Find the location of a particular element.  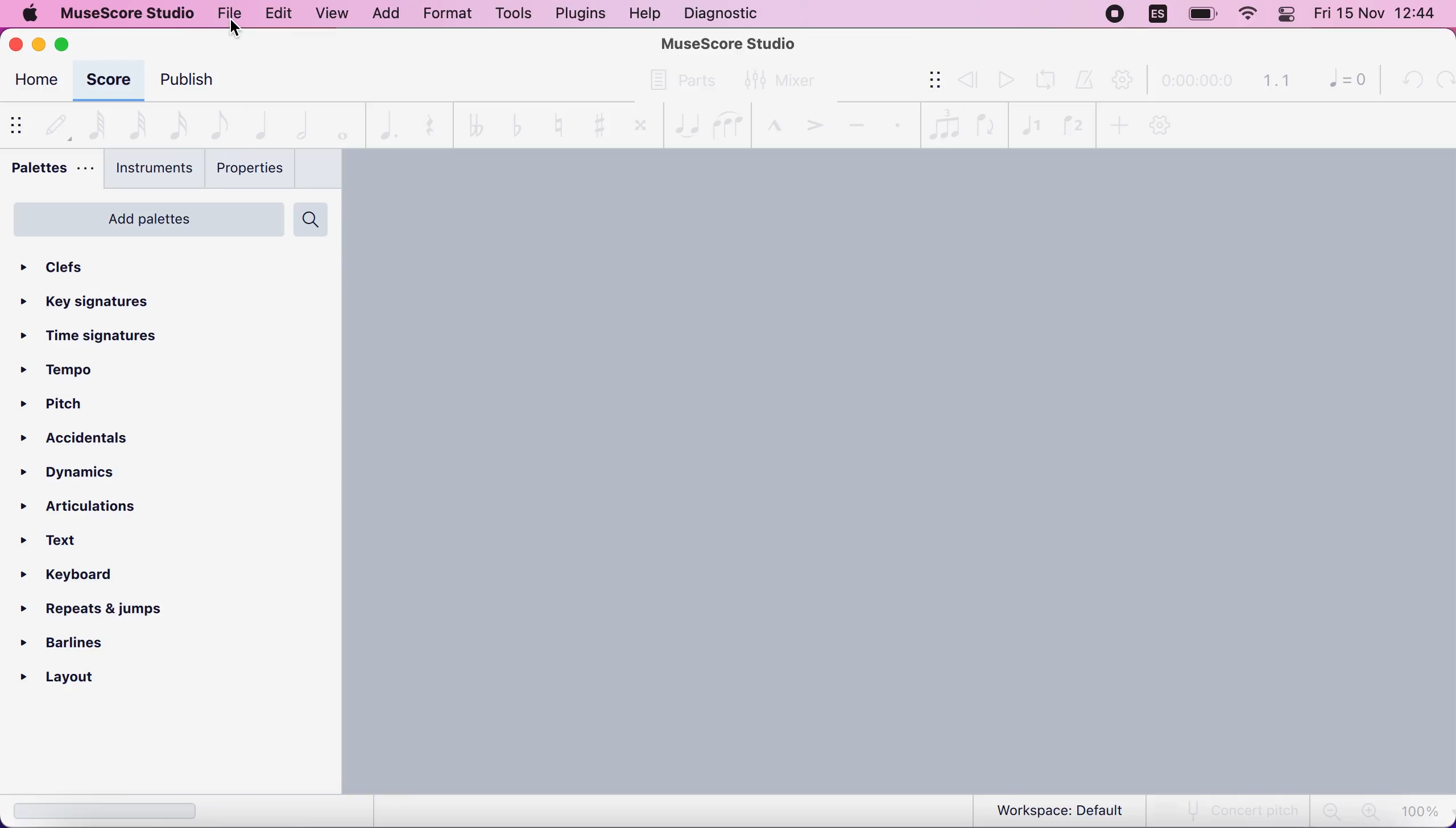

customization tool is located at coordinates (1162, 125).